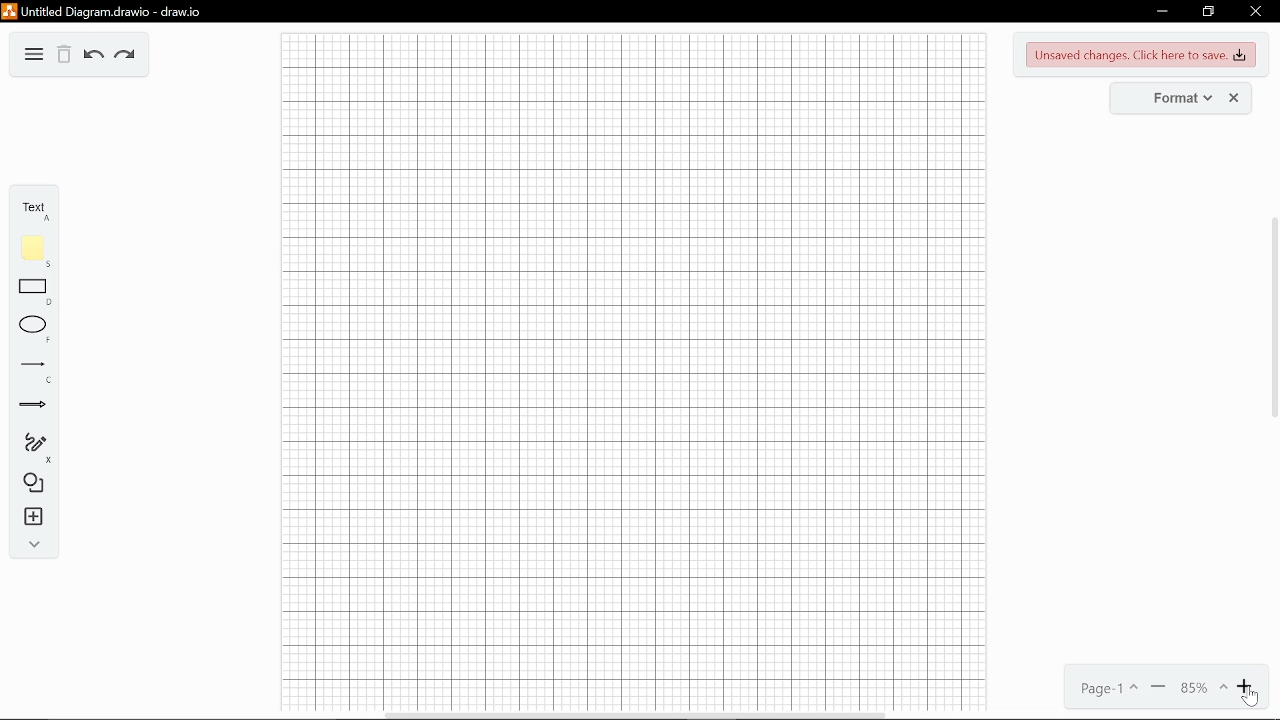 This screenshot has width=1280, height=720. I want to click on Untitled Diagram.drawio - draw.io, so click(113, 12).